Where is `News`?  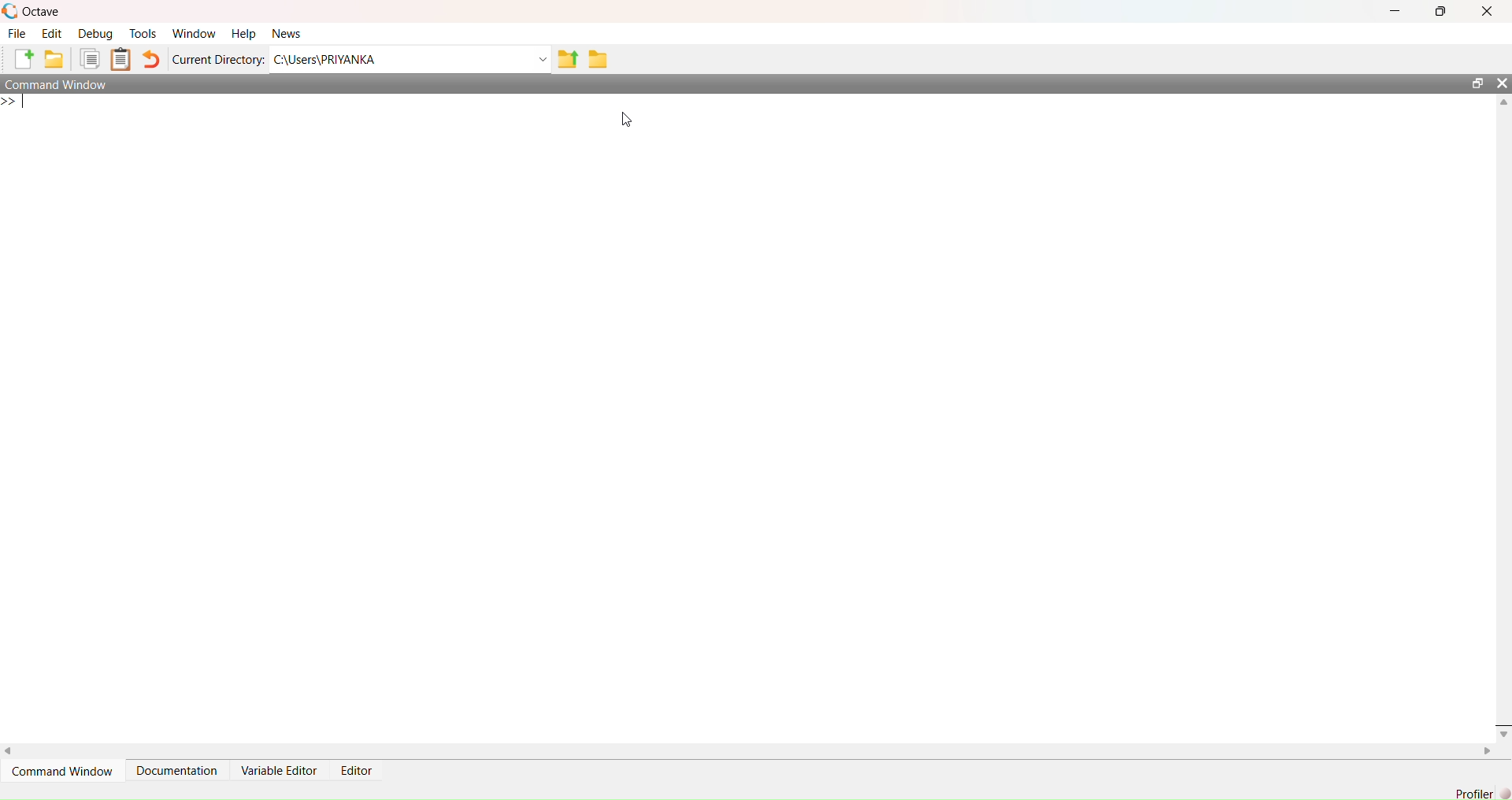 News is located at coordinates (291, 33).